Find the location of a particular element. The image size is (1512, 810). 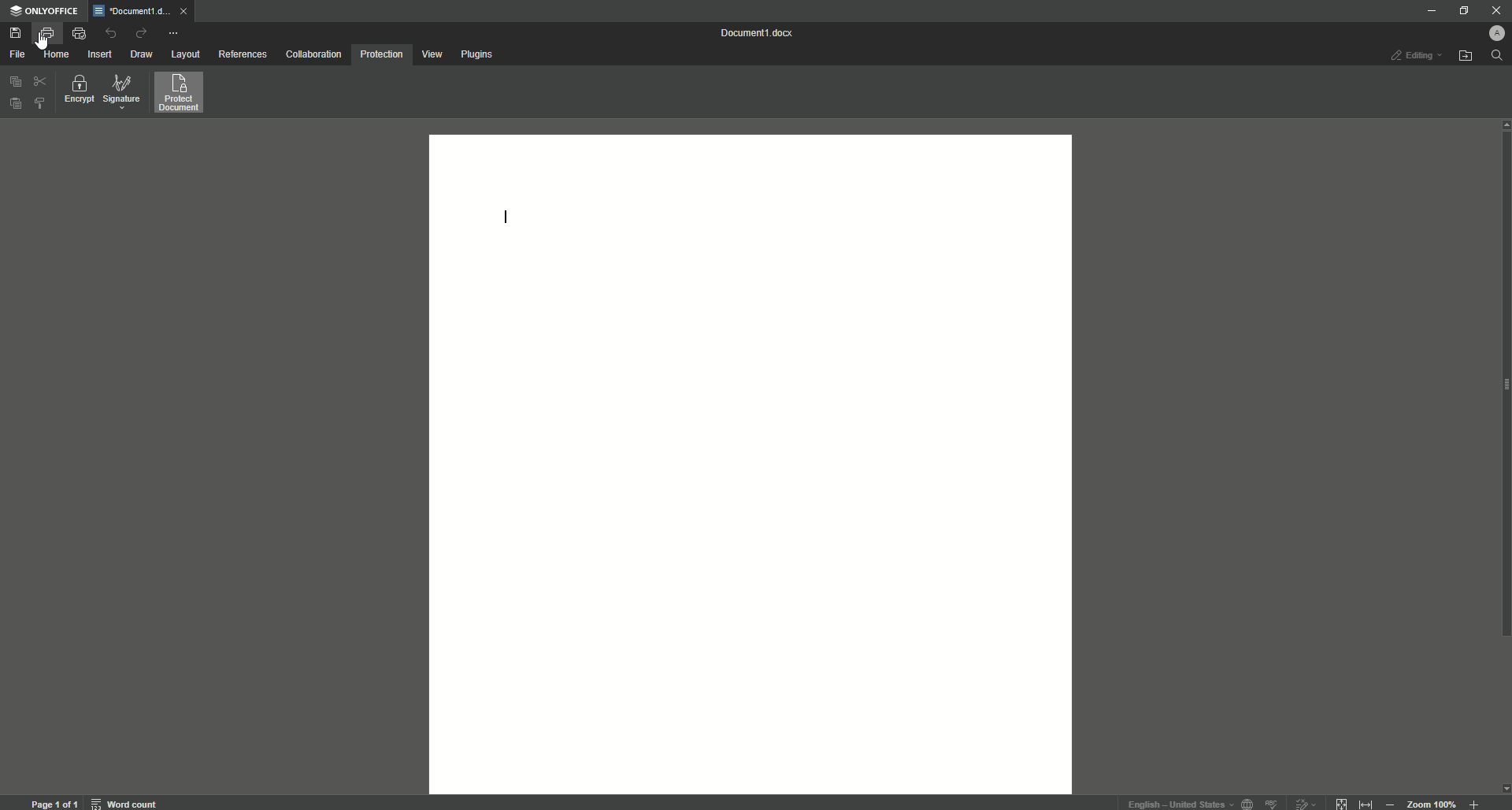

text language is located at coordinates (1177, 801).